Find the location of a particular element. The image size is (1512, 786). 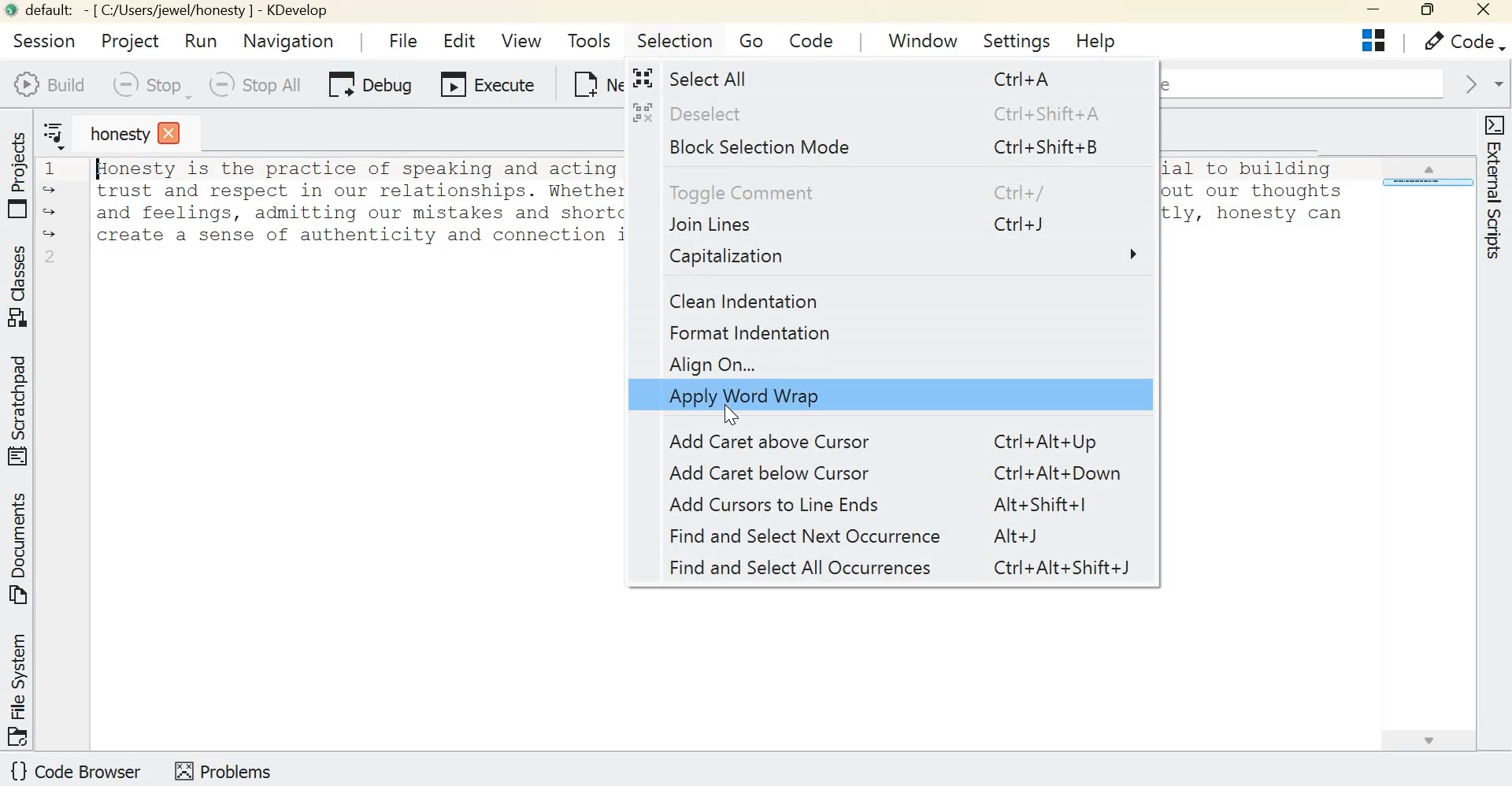

Go forward in context history is located at coordinates (1480, 83).